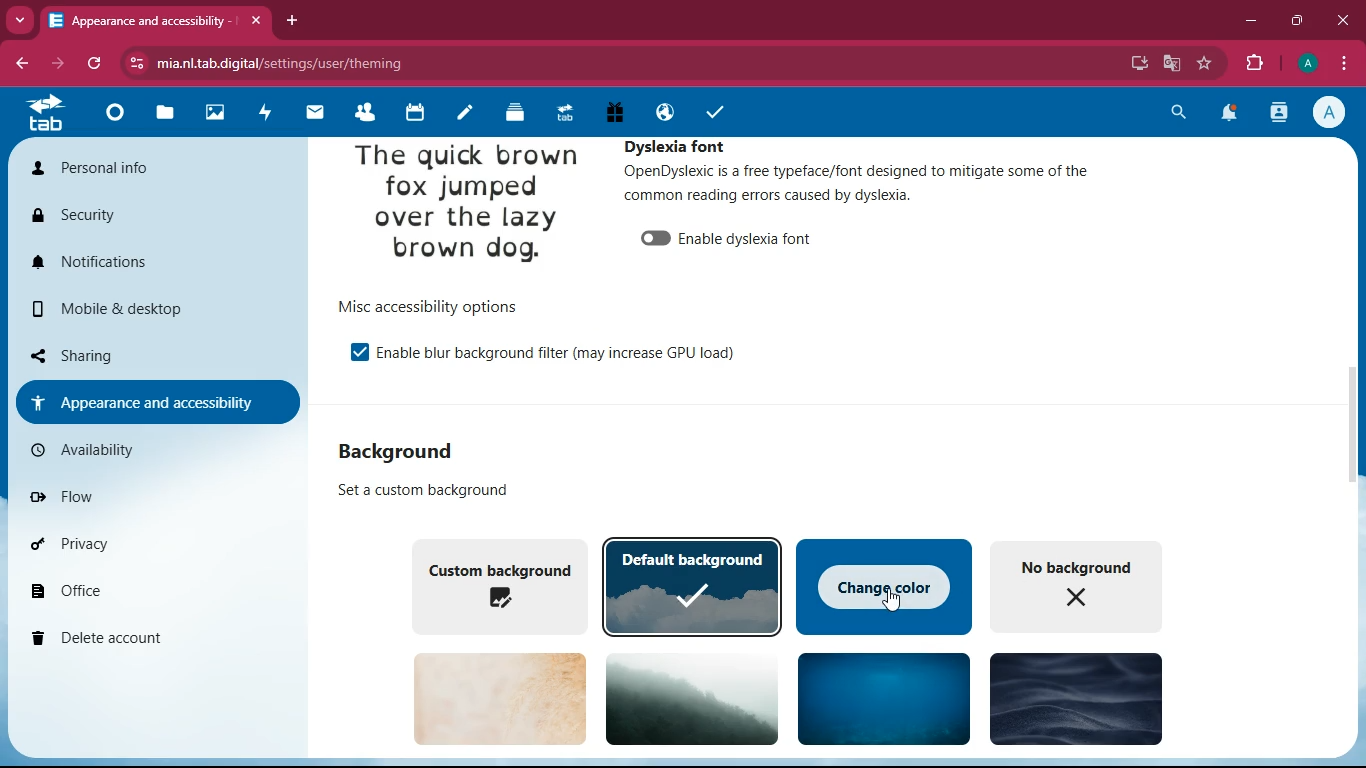  Describe the element at coordinates (359, 353) in the screenshot. I see `enable` at that location.